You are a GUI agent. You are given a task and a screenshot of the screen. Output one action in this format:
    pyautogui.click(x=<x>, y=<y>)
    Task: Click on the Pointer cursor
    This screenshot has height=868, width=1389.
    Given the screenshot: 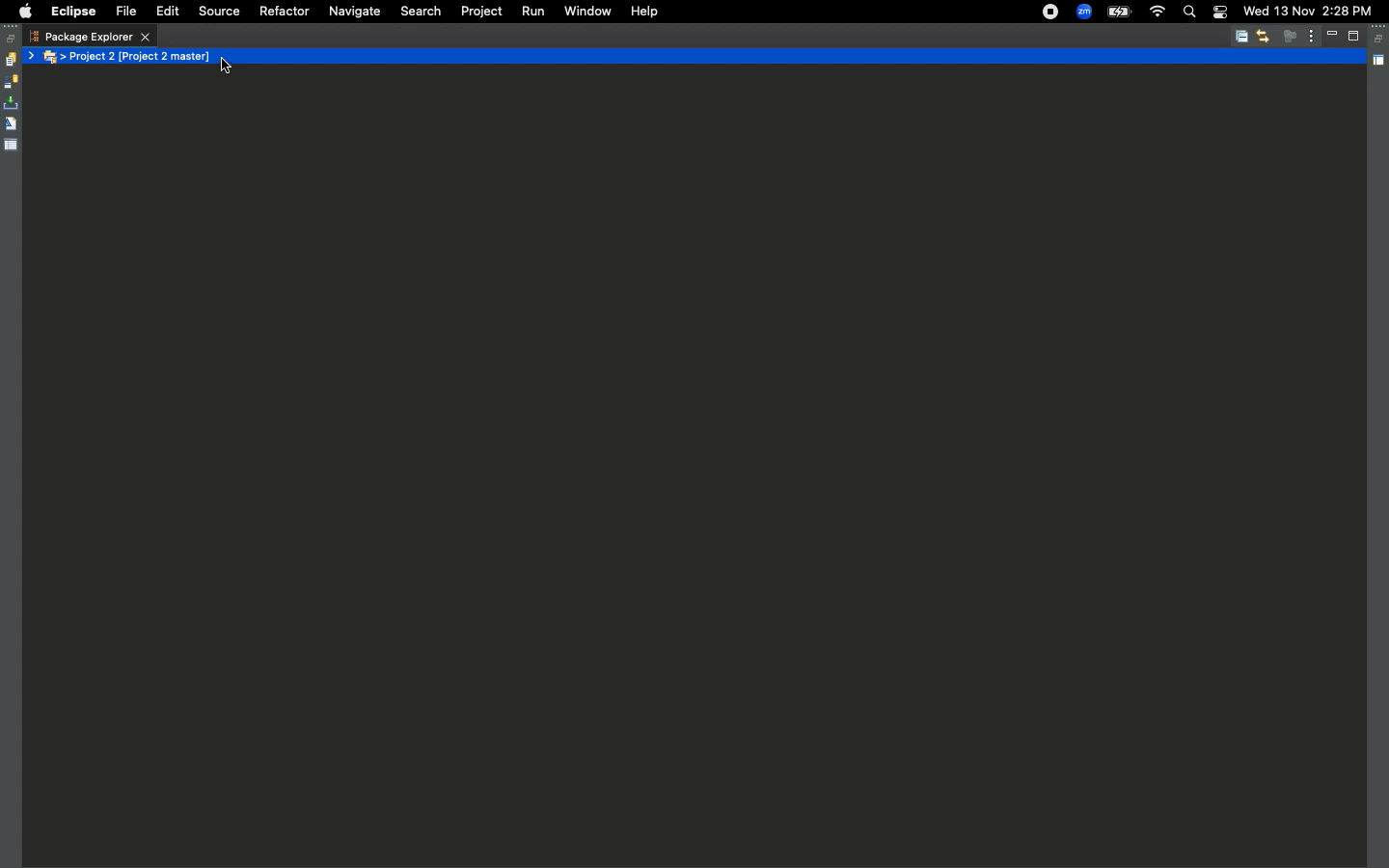 What is the action you would take?
    pyautogui.click(x=225, y=67)
    